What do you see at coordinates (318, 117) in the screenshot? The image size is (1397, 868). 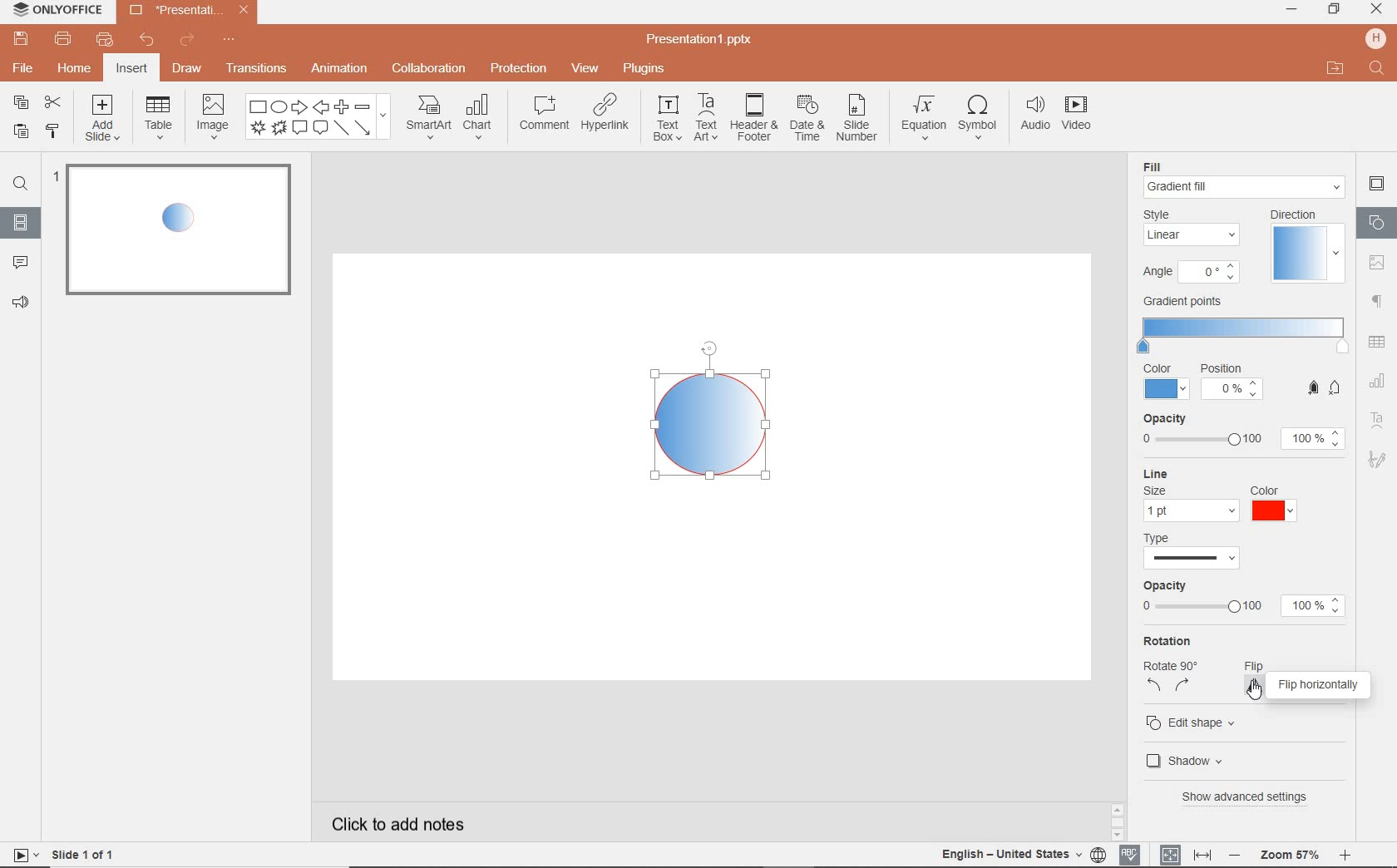 I see `shapes` at bounding box center [318, 117].